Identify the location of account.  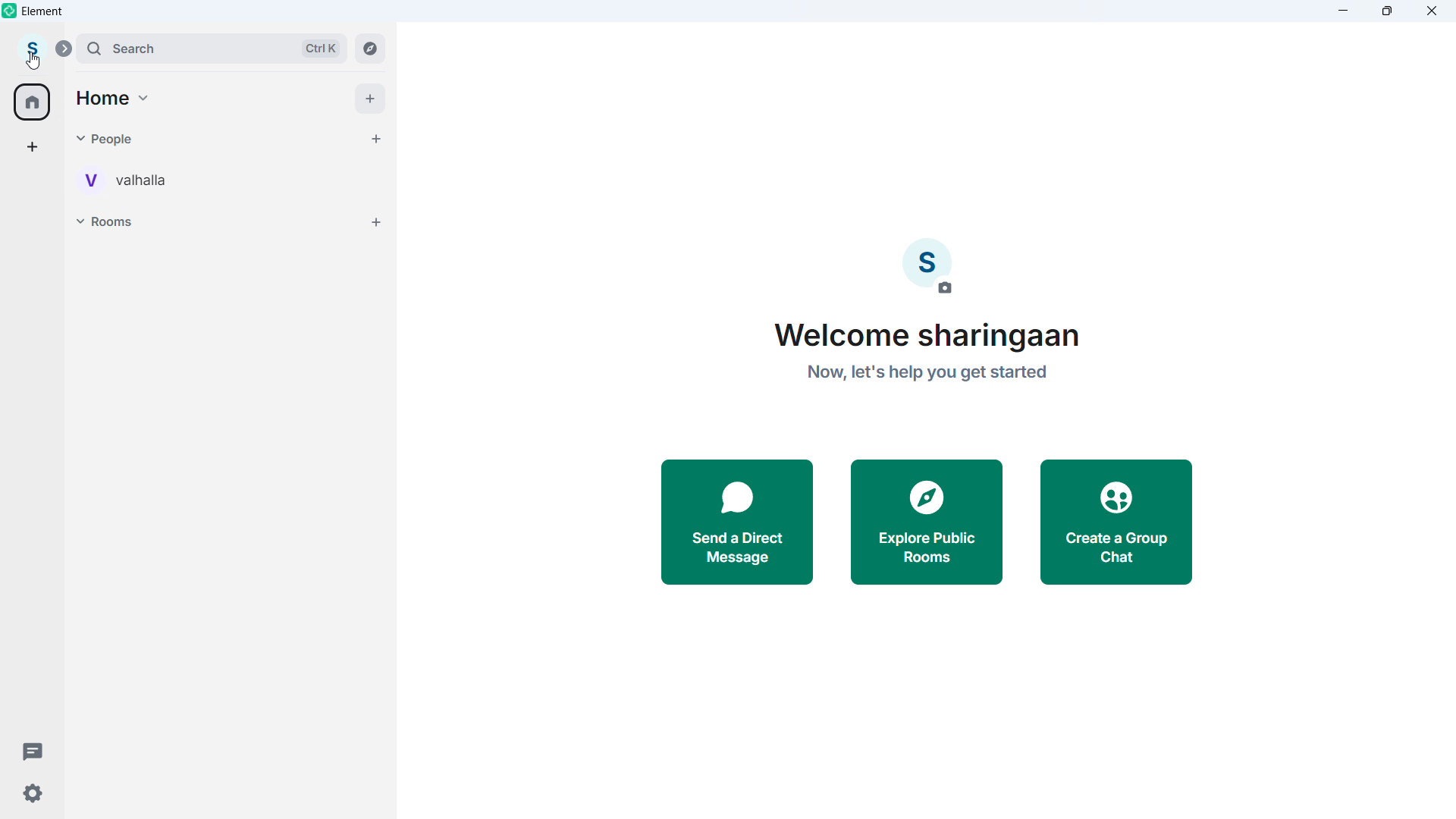
(33, 49).